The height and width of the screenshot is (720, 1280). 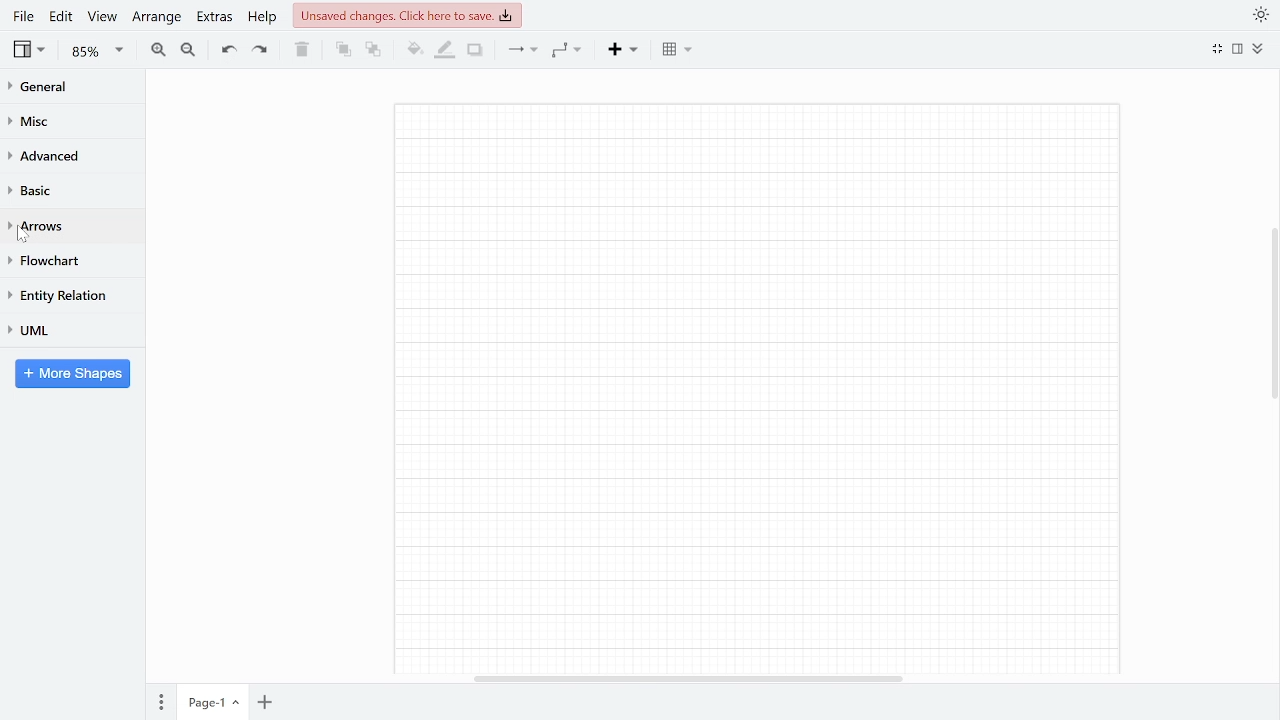 What do you see at coordinates (43, 89) in the screenshot?
I see `General` at bounding box center [43, 89].